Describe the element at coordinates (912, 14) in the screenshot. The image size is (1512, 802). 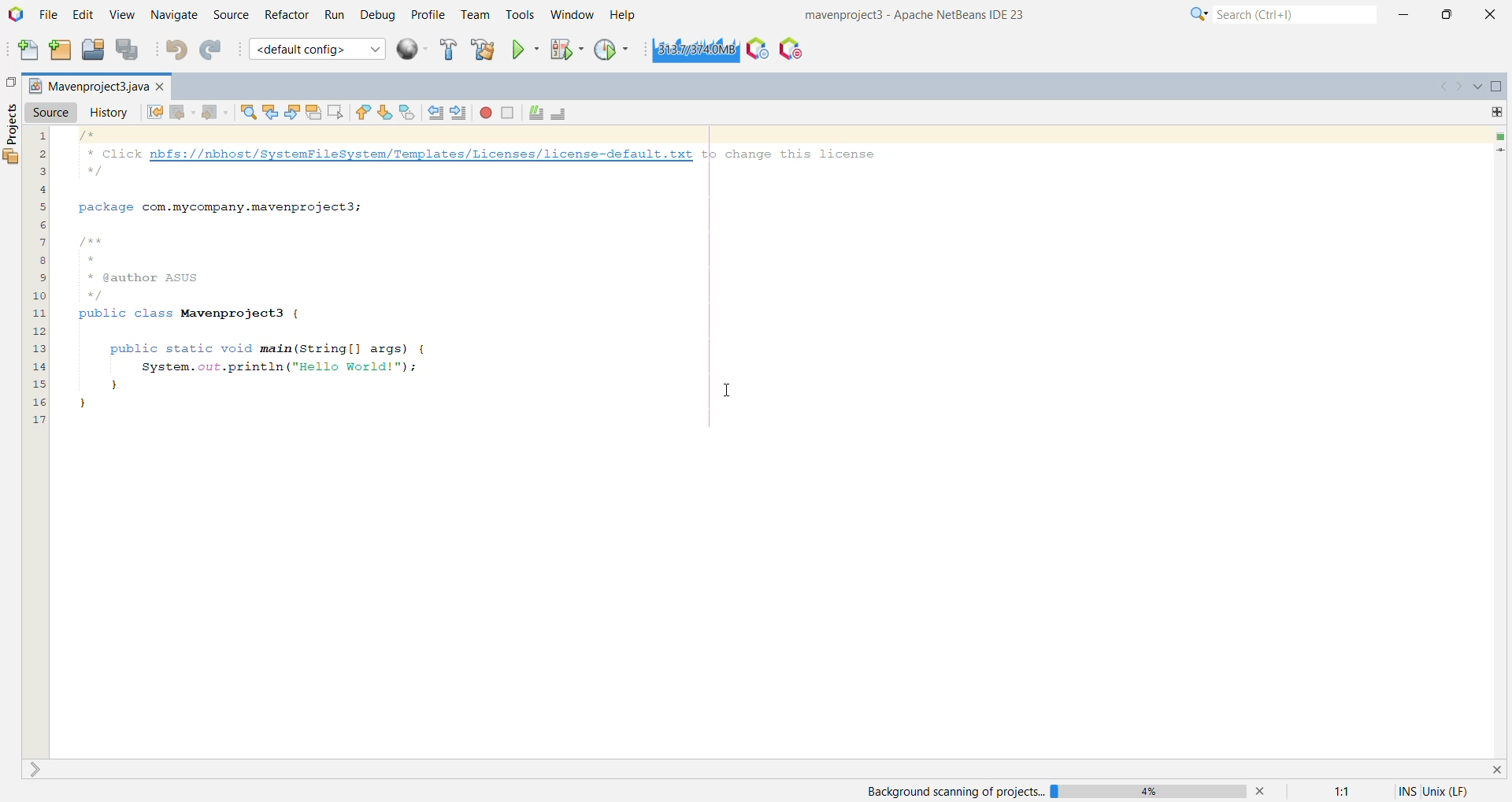
I see `New Project Name - Application Name and Version` at that location.